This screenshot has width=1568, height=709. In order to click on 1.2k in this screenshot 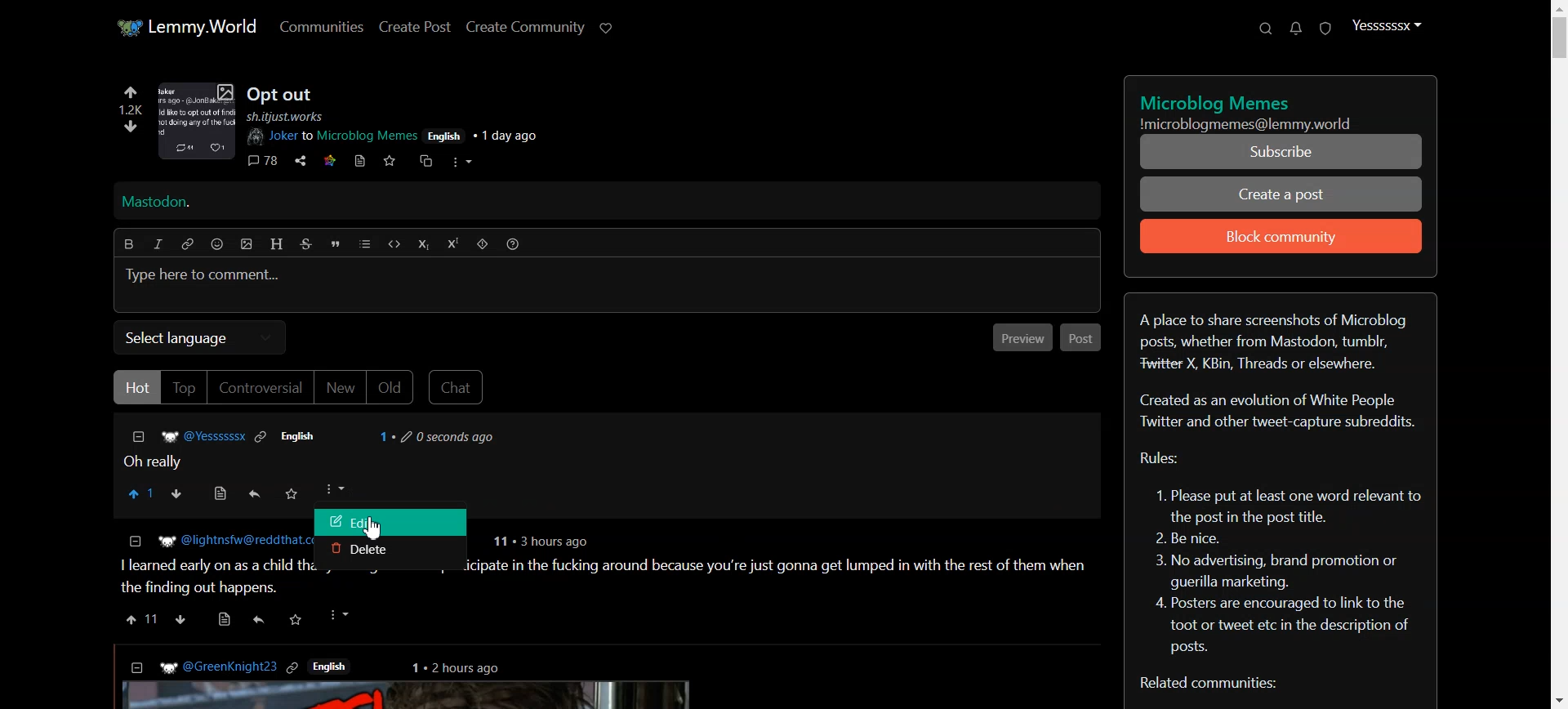, I will do `click(131, 109)`.